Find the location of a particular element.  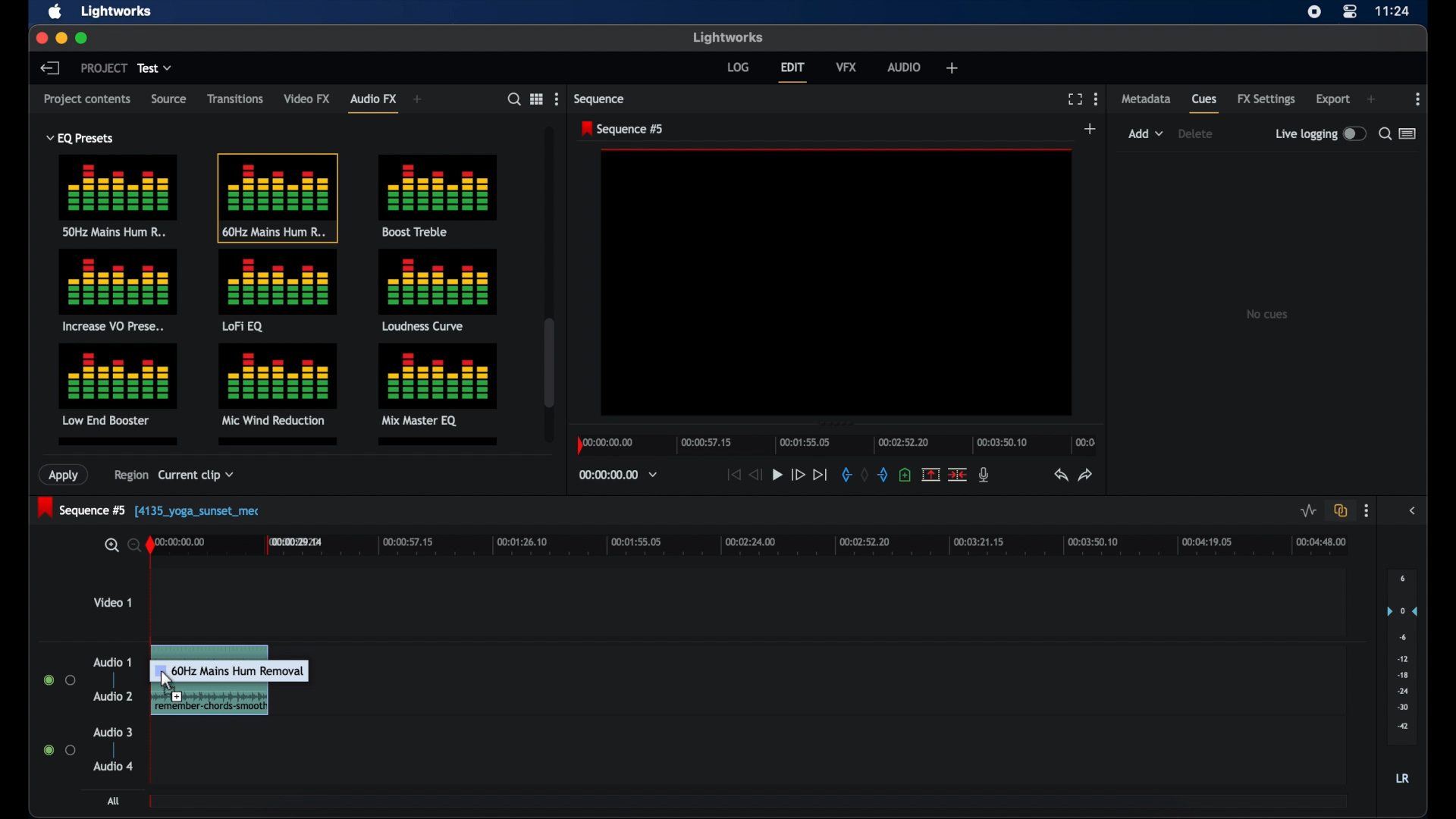

sequence is located at coordinates (622, 129).